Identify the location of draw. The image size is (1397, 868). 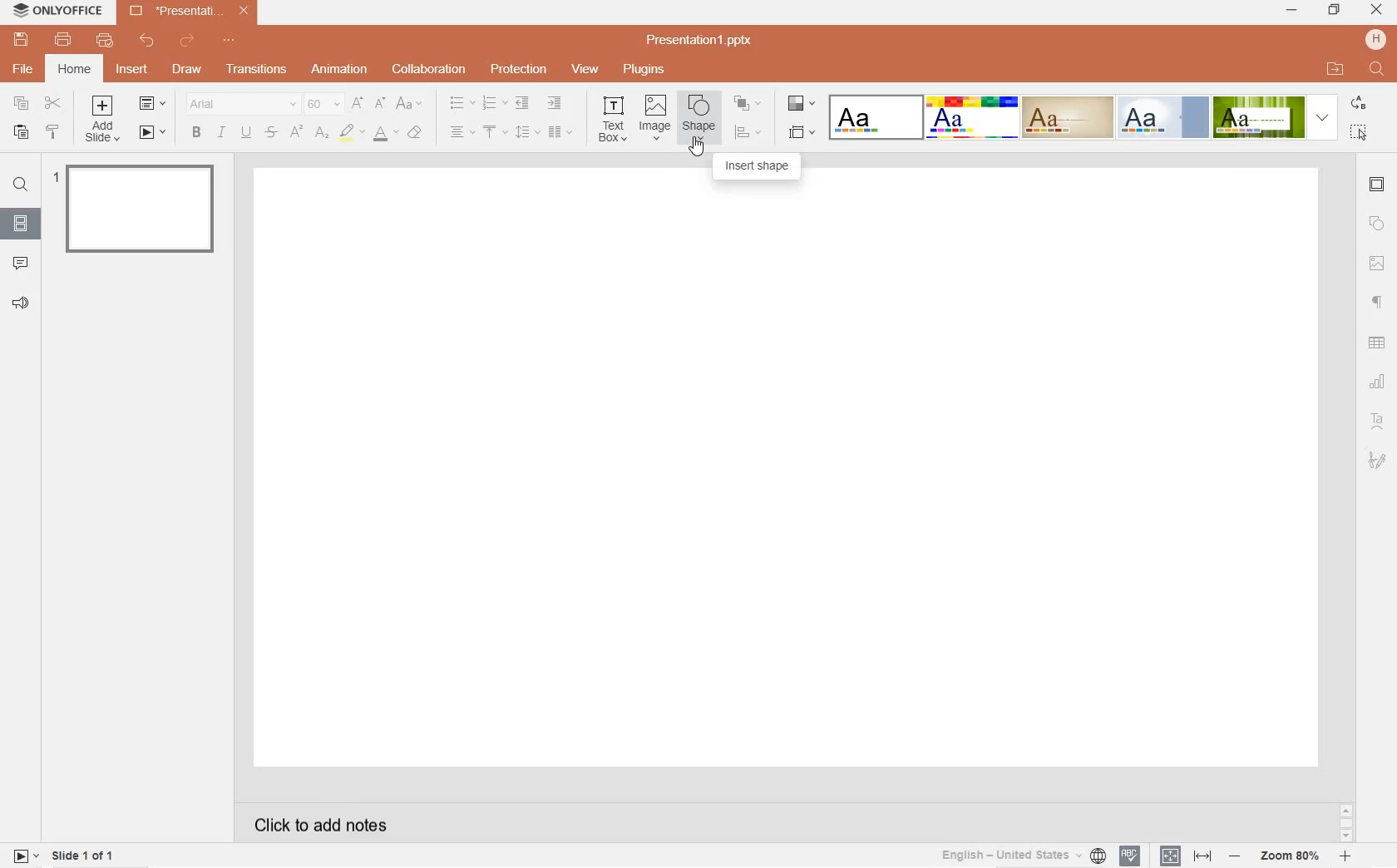
(186, 67).